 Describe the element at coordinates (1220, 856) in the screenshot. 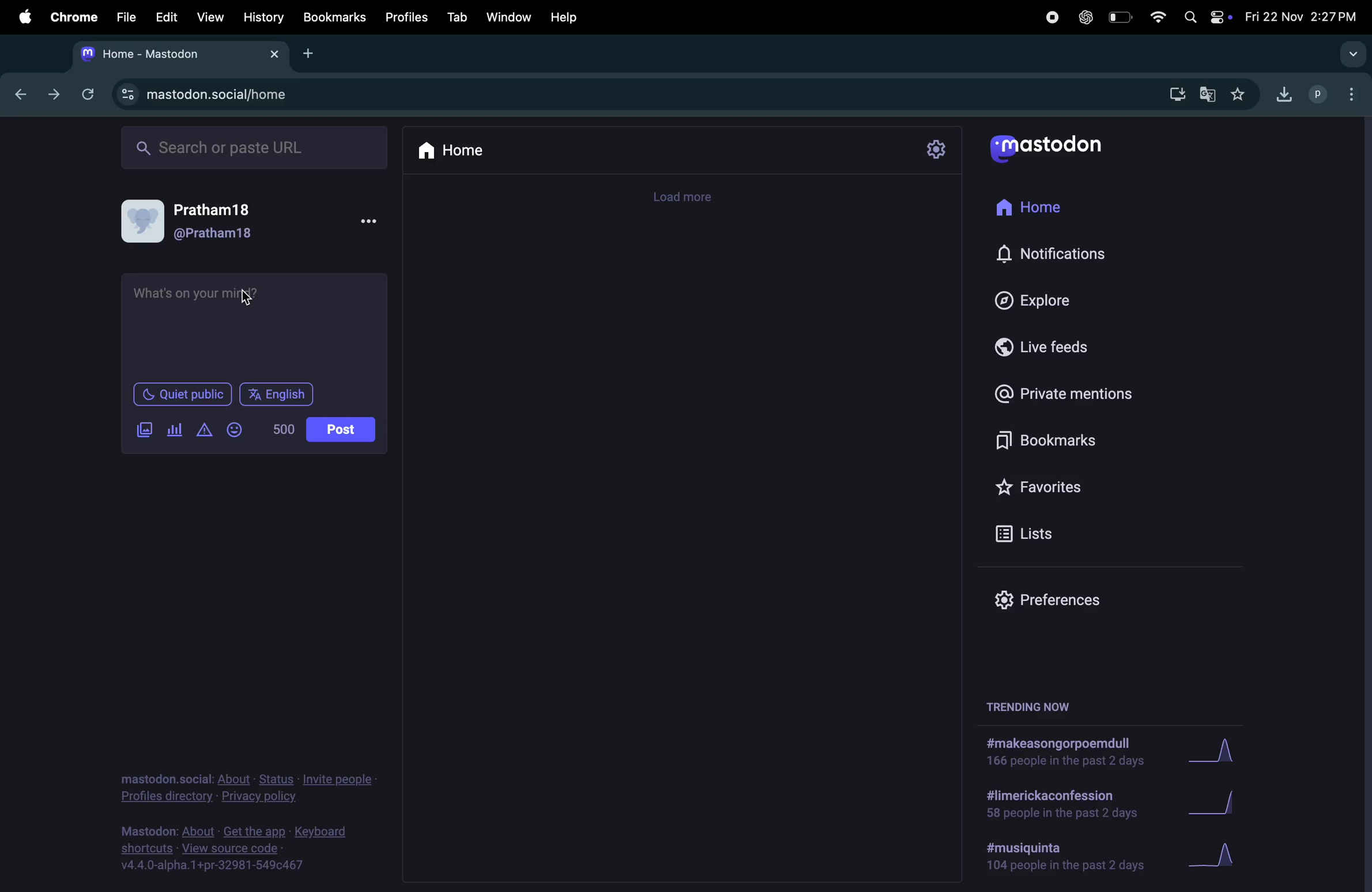

I see `graph` at that location.